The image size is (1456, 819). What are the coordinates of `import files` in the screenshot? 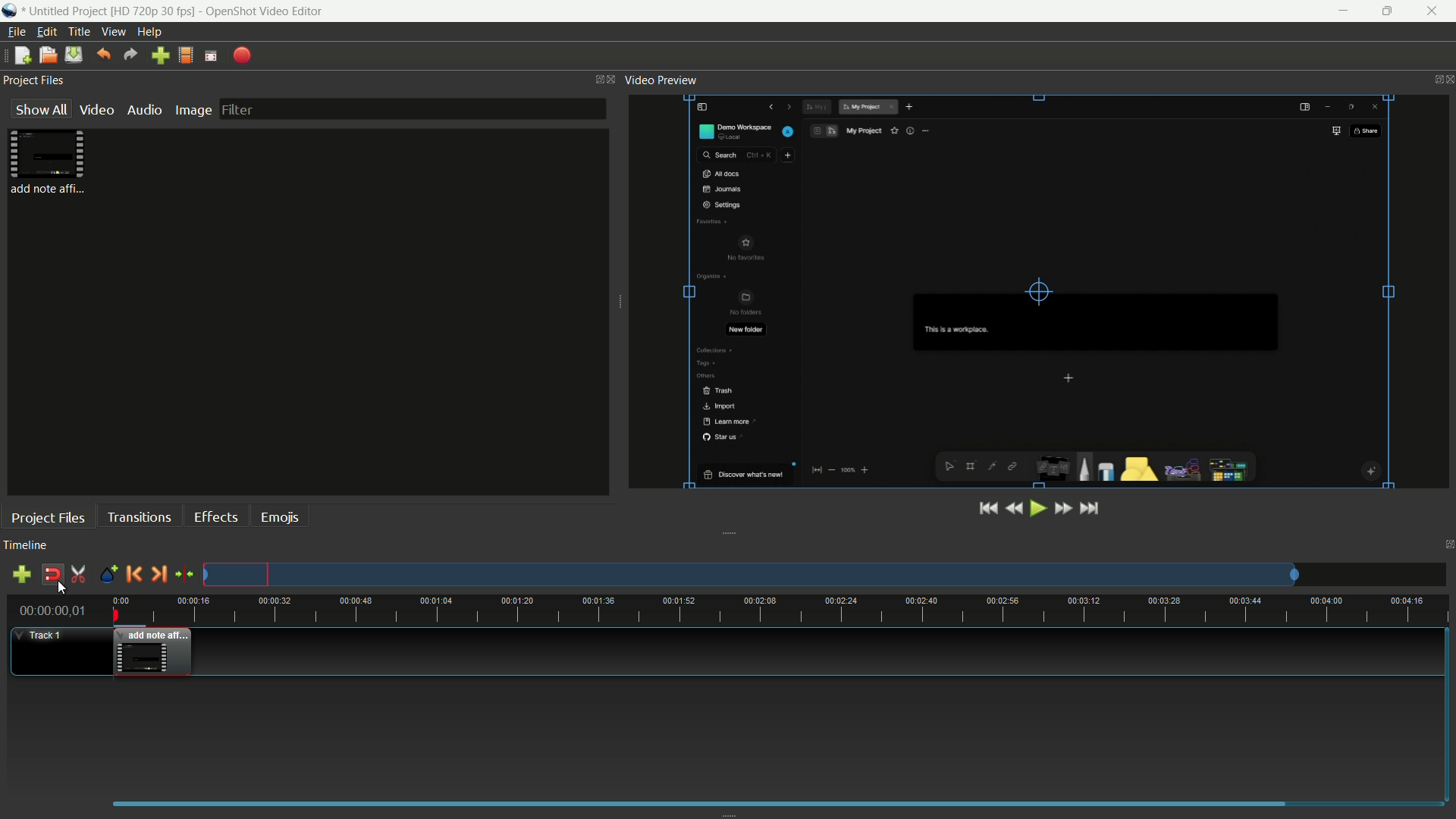 It's located at (158, 55).